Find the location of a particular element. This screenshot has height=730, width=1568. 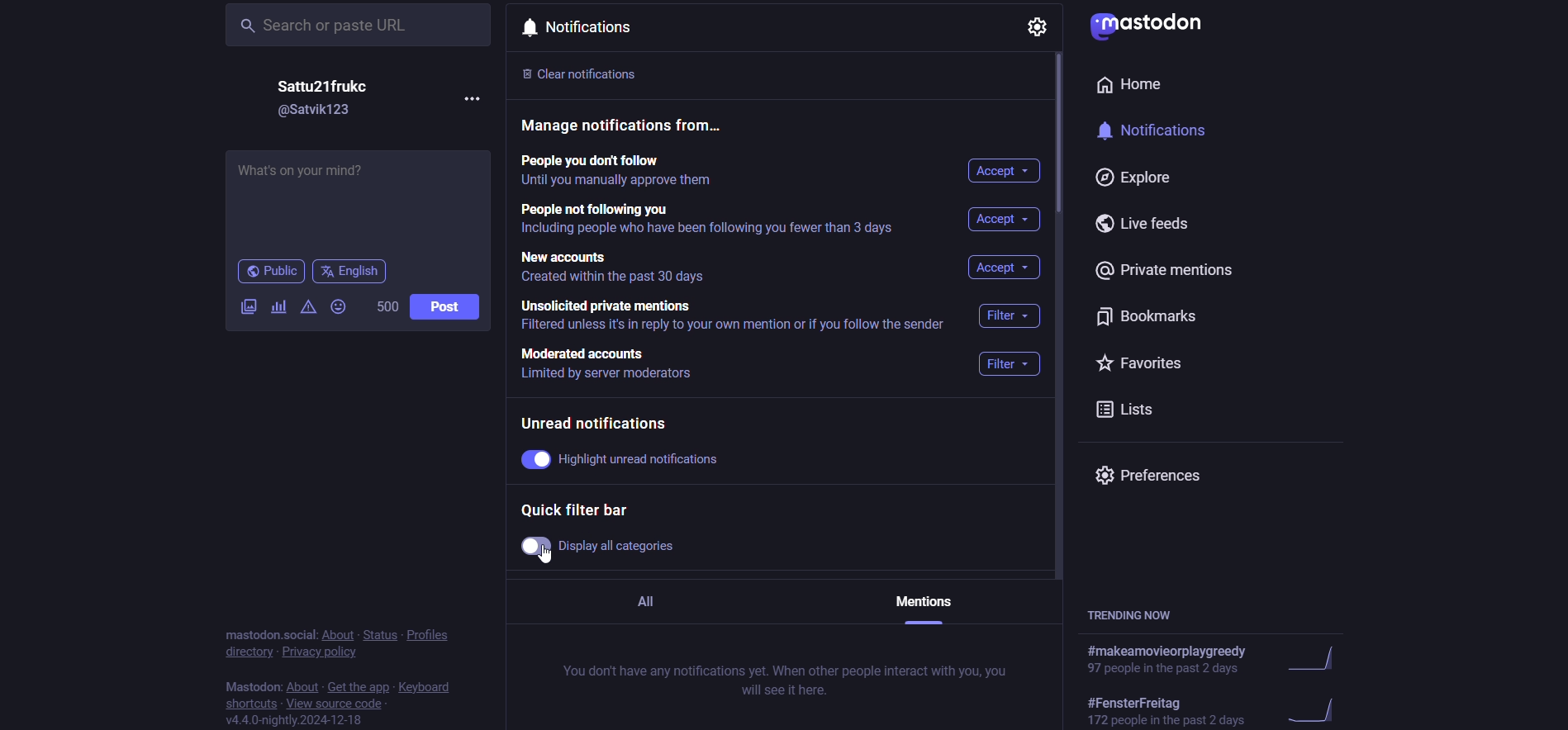

Moderated accounts Limited by server moderators is located at coordinates (612, 365).